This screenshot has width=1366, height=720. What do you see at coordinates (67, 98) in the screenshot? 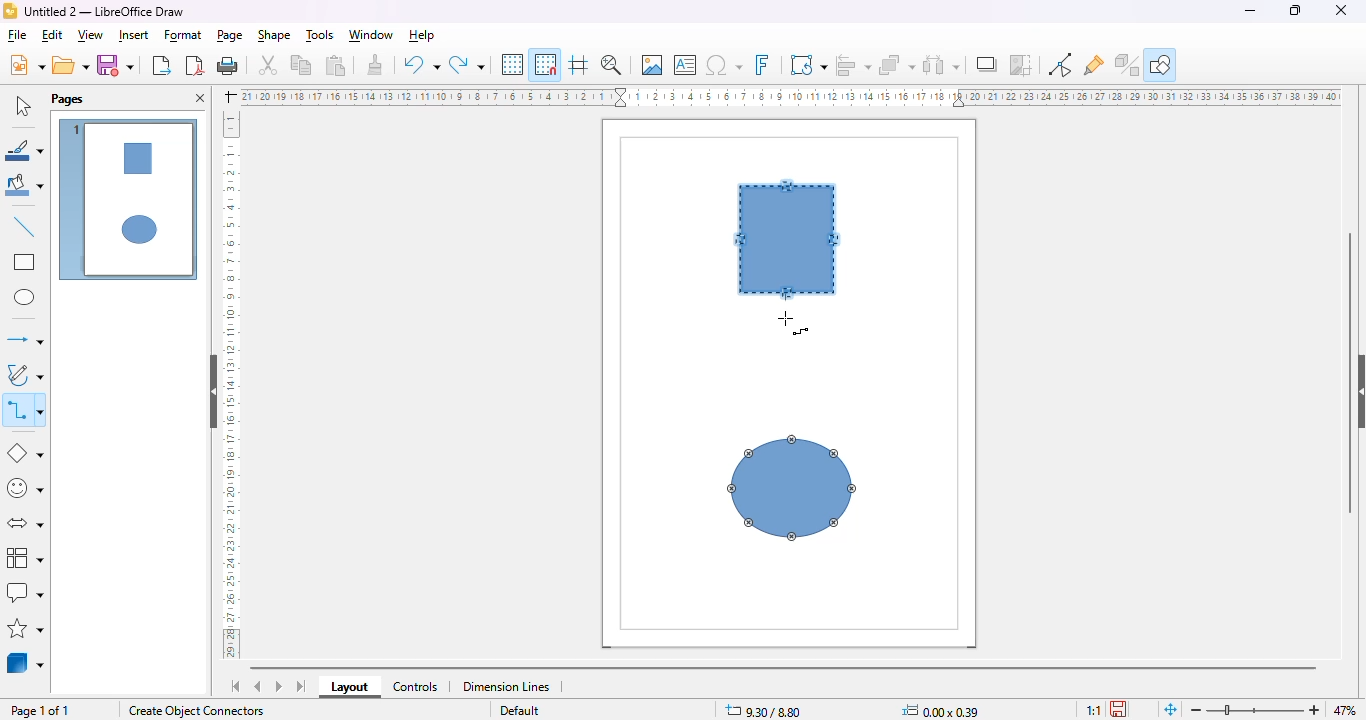
I see `pages` at bounding box center [67, 98].